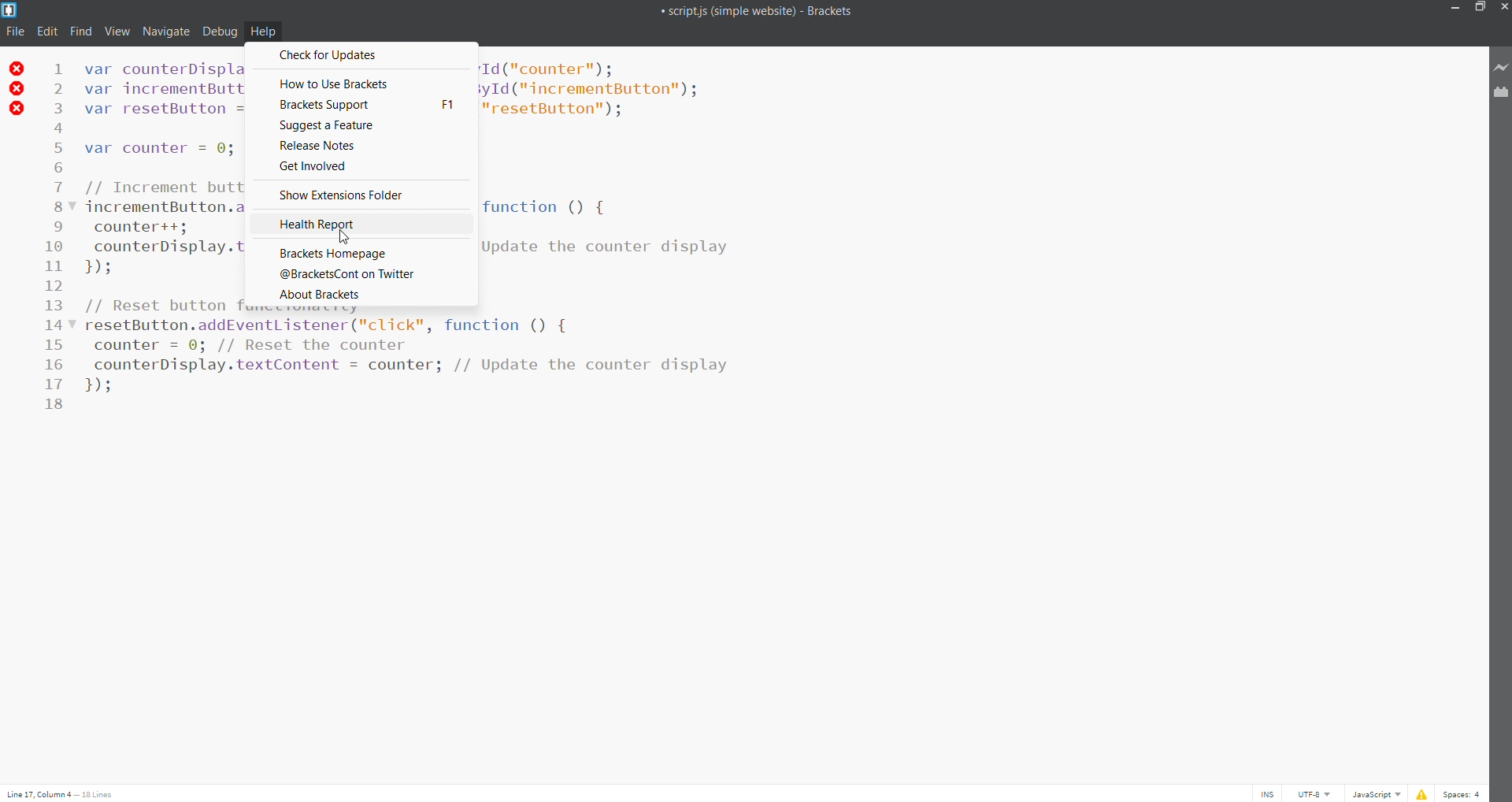 The width and height of the screenshot is (1512, 802). I want to click on live preview, so click(1502, 69).